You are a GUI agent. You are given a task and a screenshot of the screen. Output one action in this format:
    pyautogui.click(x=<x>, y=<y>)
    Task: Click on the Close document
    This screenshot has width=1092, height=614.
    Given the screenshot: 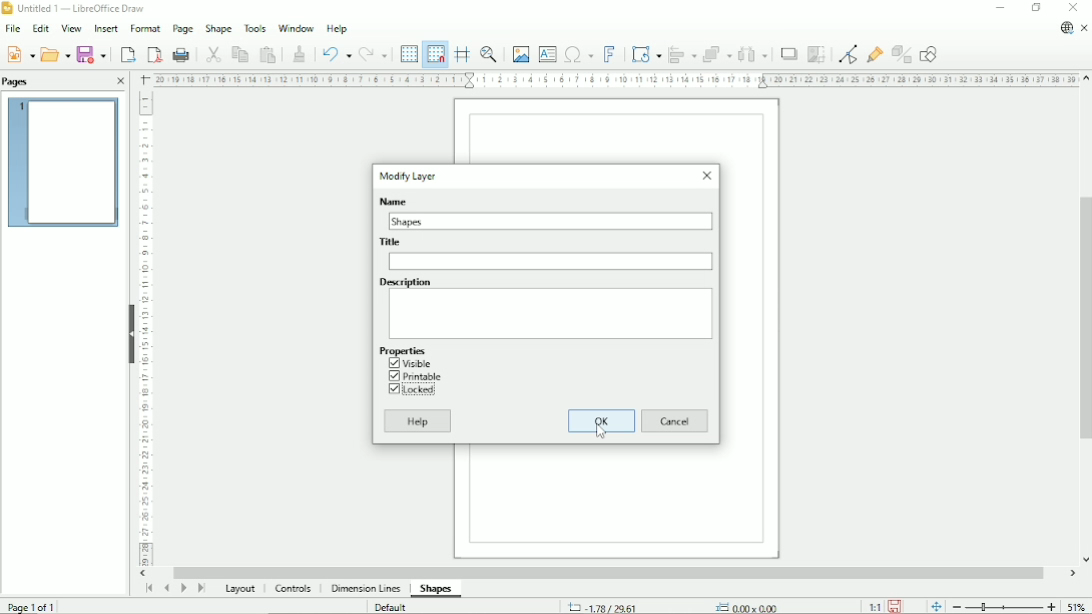 What is the action you would take?
    pyautogui.click(x=1086, y=29)
    